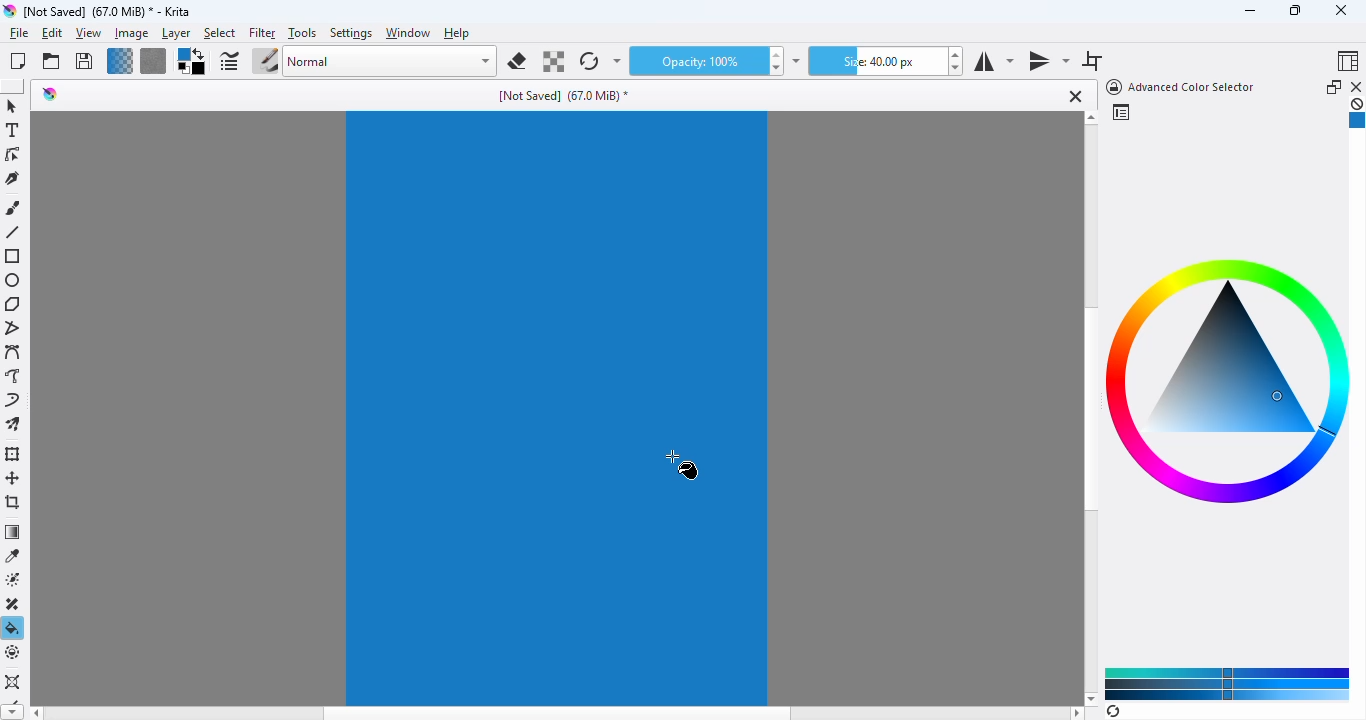 Image resolution: width=1366 pixels, height=720 pixels. I want to click on vertical scroll bar, so click(1089, 410).